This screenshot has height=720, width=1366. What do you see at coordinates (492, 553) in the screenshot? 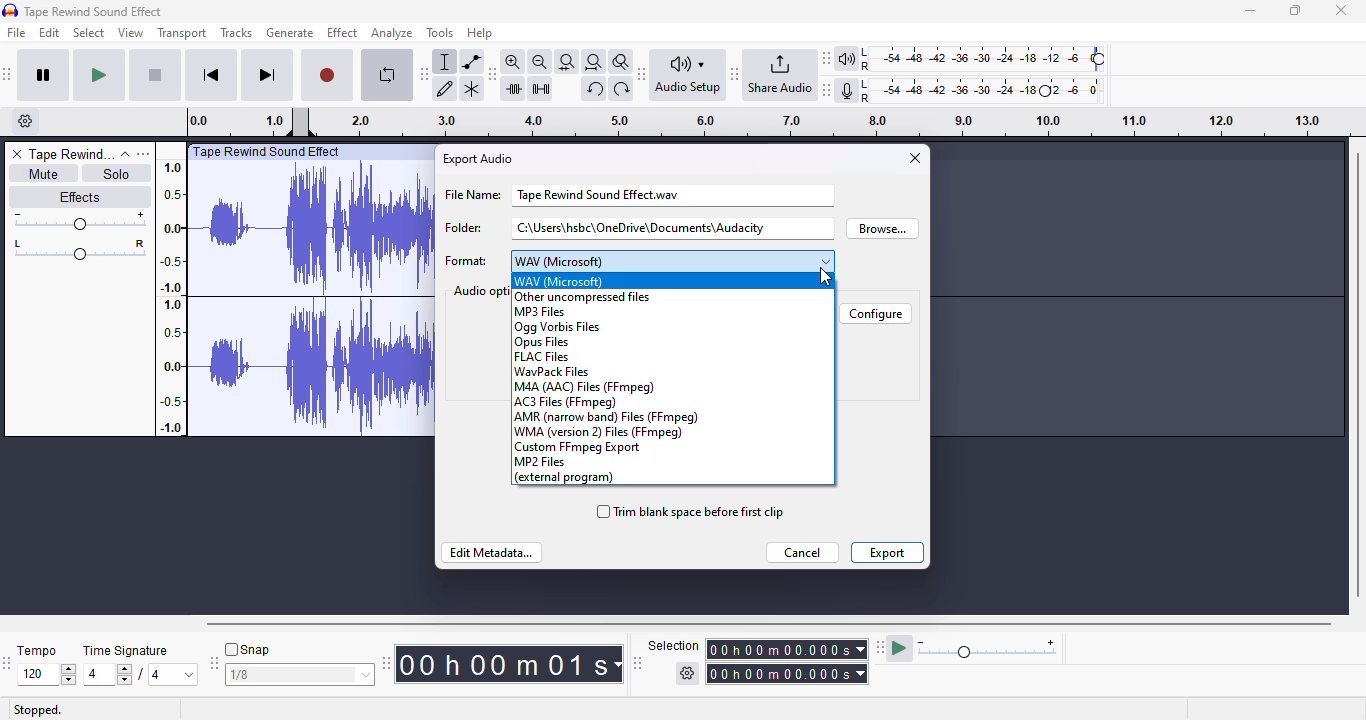
I see `edit metadata` at bounding box center [492, 553].